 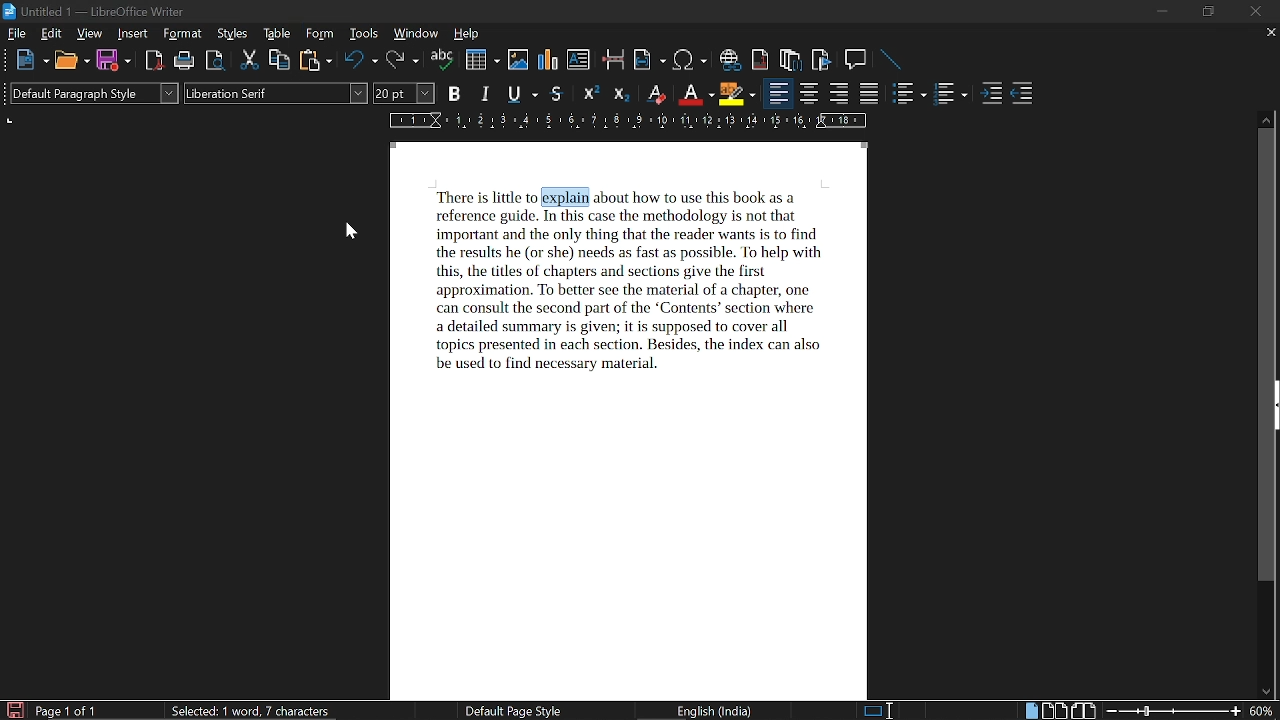 What do you see at coordinates (614, 61) in the screenshot?
I see `insert page break` at bounding box center [614, 61].